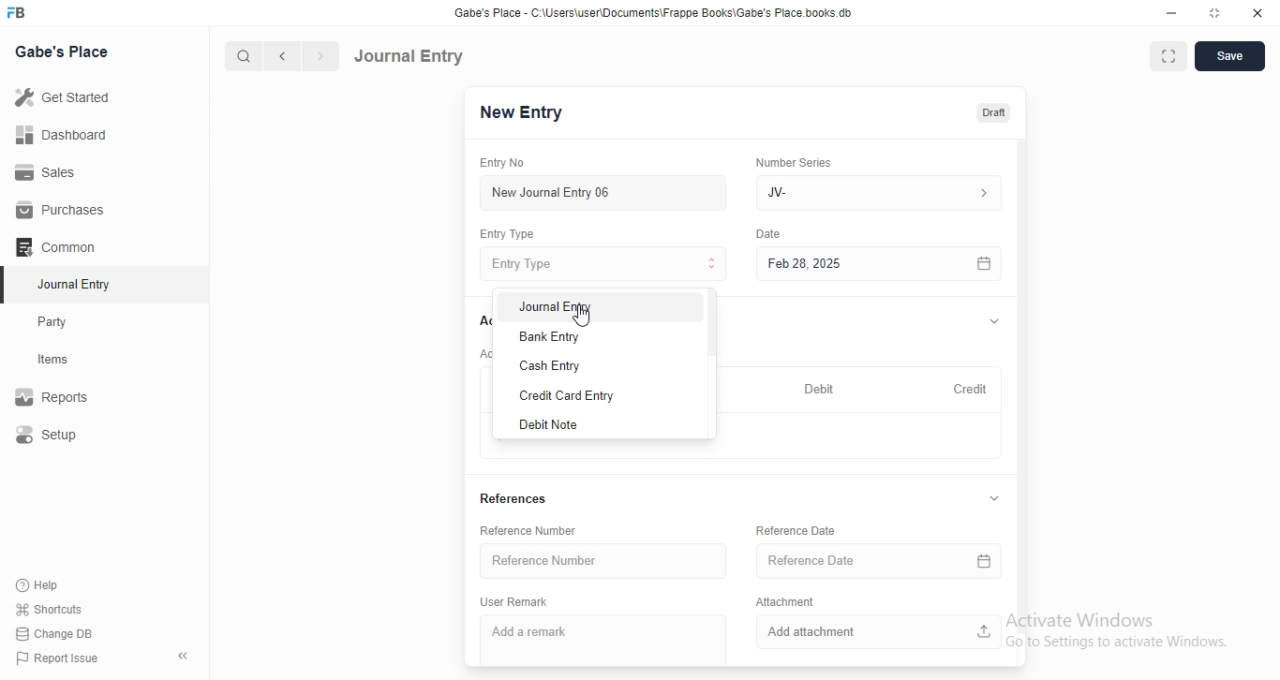  What do you see at coordinates (597, 191) in the screenshot?
I see `New Journal Entry 06` at bounding box center [597, 191].